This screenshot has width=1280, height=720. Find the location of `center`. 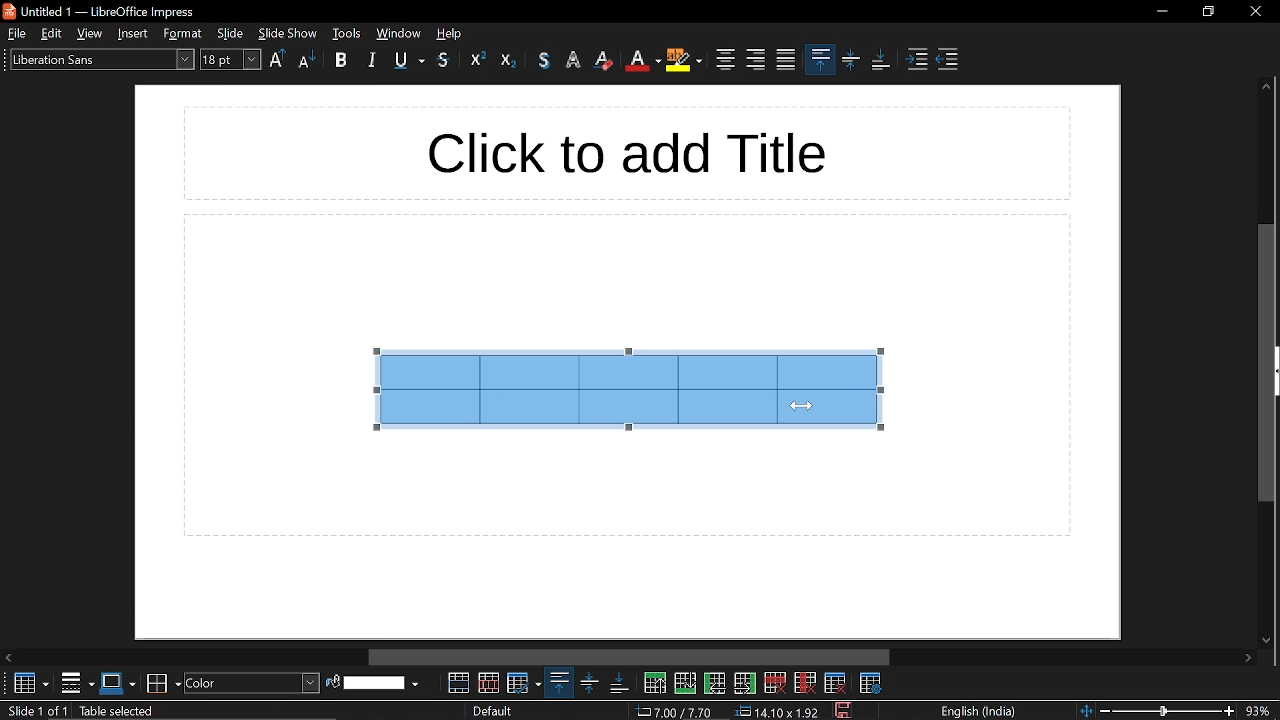

center is located at coordinates (724, 57).